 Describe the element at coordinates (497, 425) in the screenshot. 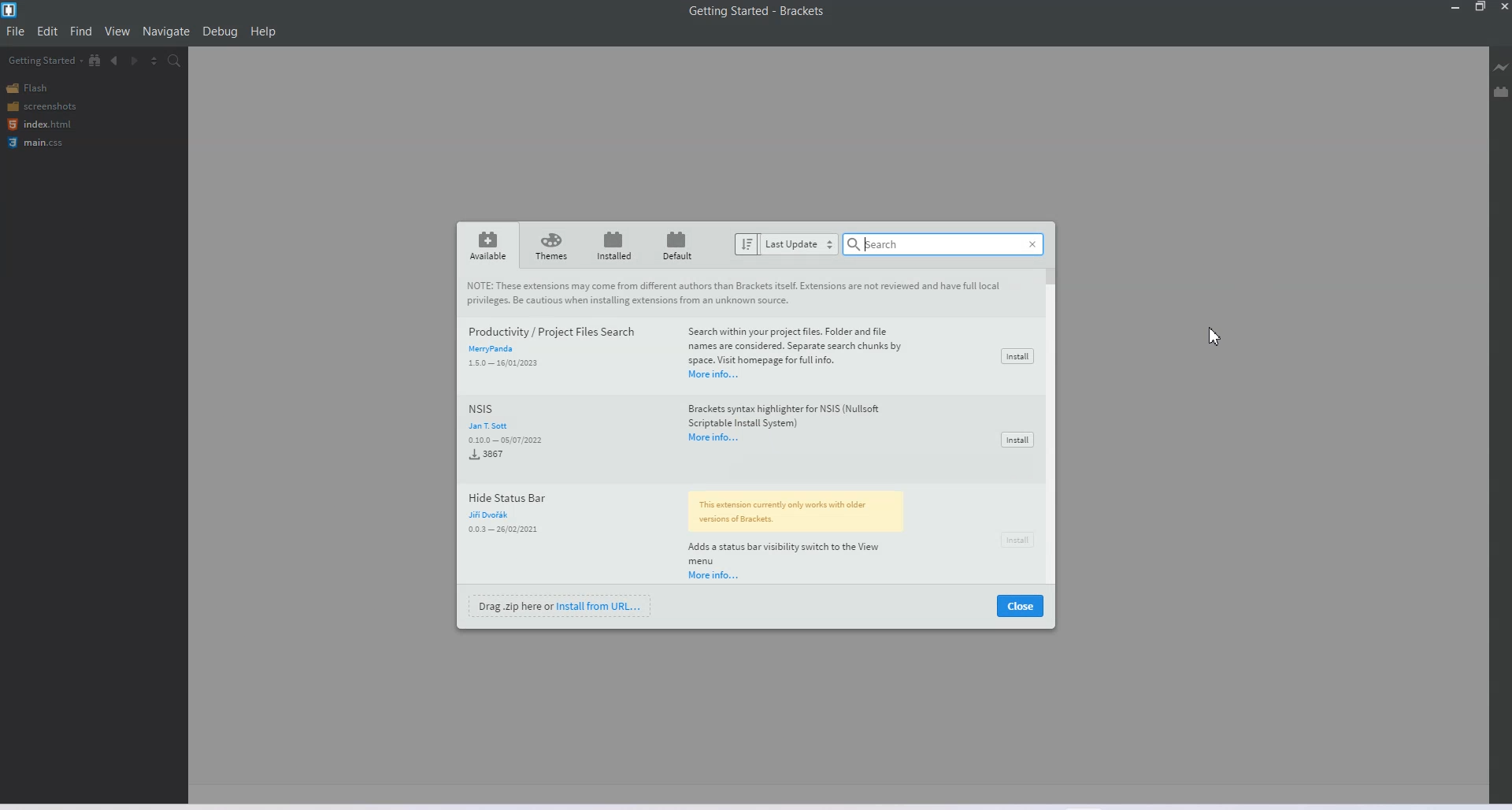

I see `jan t sott` at that location.